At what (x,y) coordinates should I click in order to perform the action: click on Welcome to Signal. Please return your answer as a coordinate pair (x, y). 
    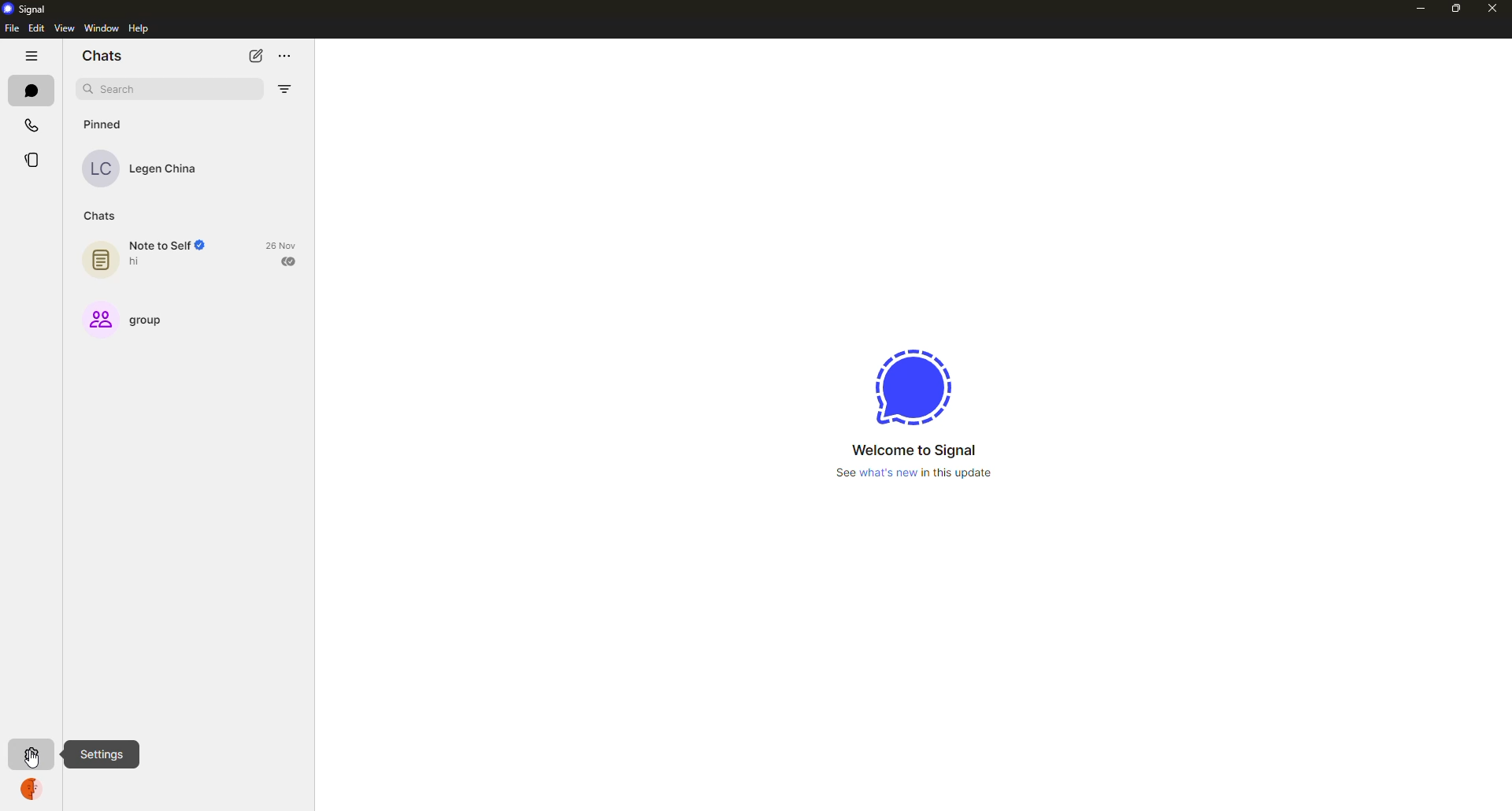
    Looking at the image, I should click on (907, 450).